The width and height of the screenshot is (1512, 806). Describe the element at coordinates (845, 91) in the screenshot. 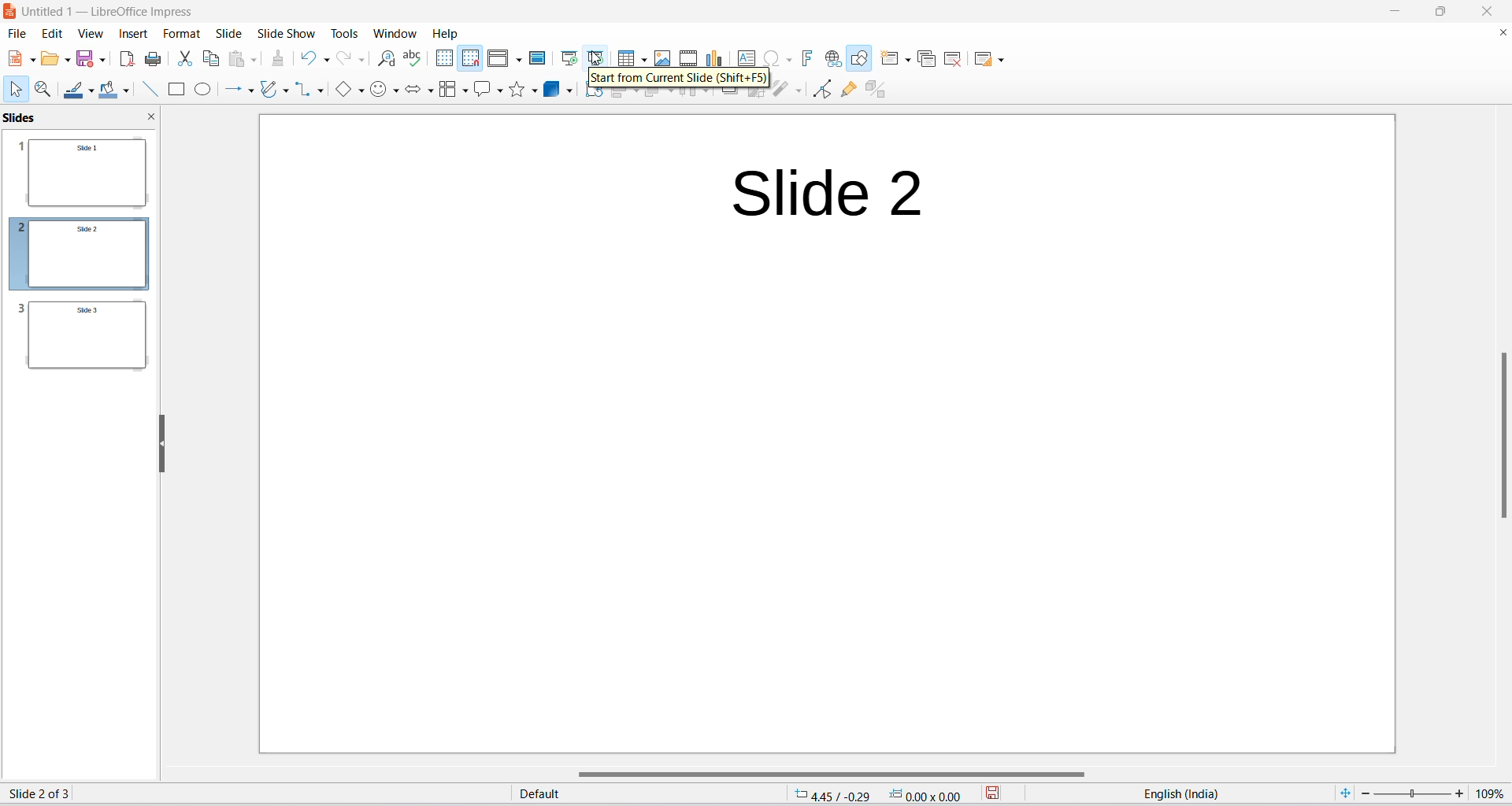

I see `show gluepoint functions` at that location.